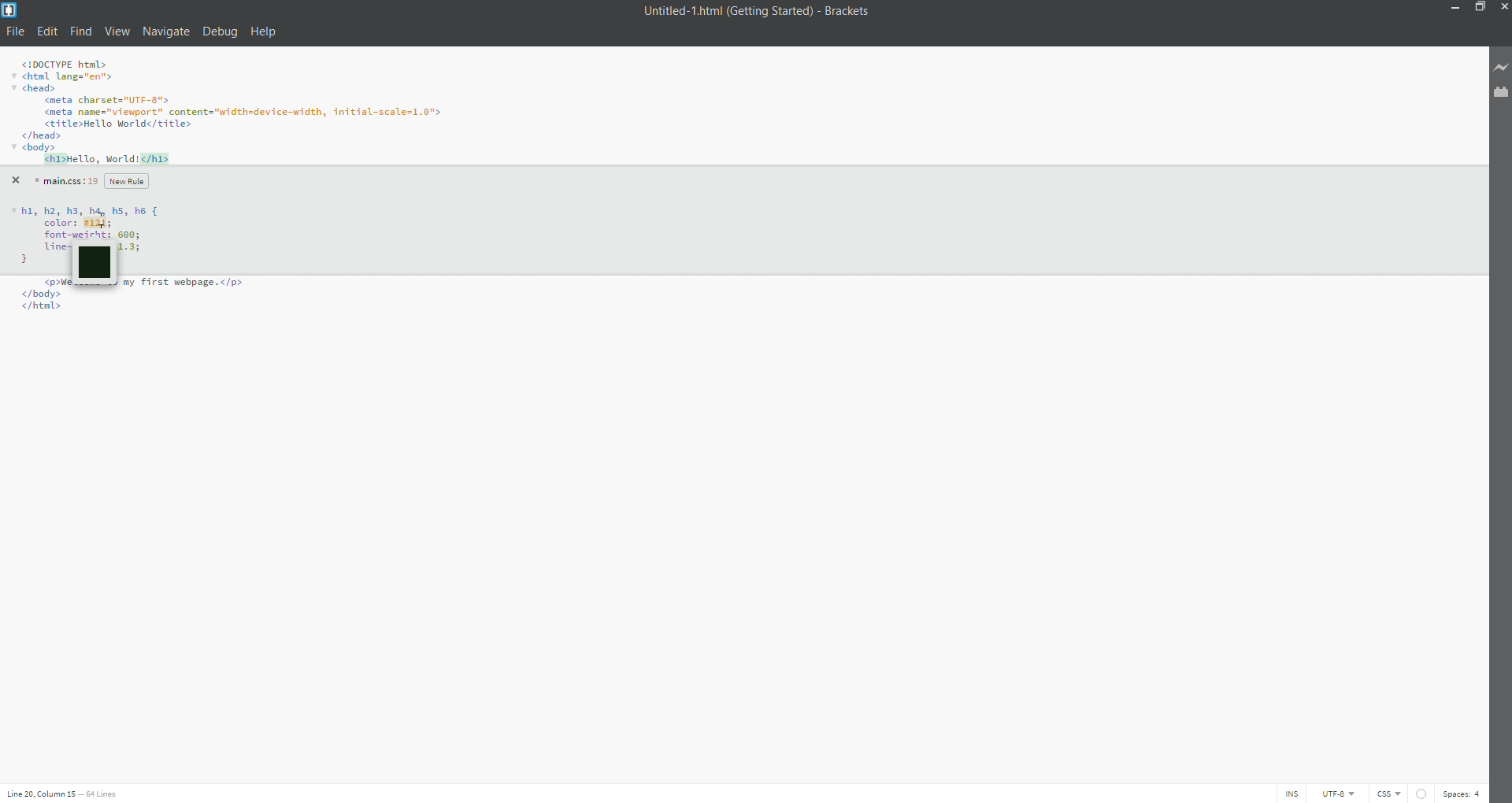  What do you see at coordinates (219, 35) in the screenshot?
I see `debug` at bounding box center [219, 35].